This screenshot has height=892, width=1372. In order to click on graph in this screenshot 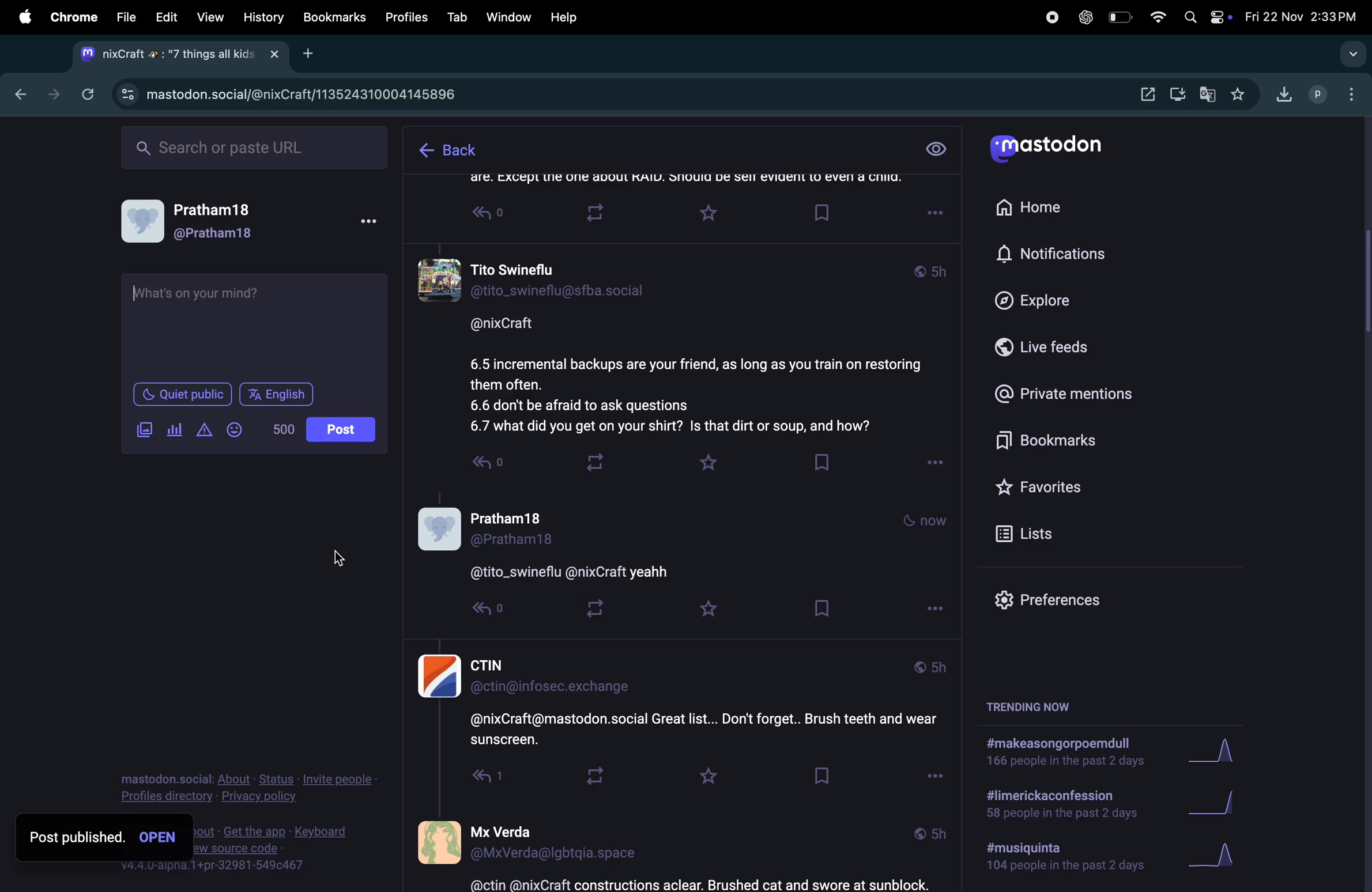, I will do `click(1222, 800)`.